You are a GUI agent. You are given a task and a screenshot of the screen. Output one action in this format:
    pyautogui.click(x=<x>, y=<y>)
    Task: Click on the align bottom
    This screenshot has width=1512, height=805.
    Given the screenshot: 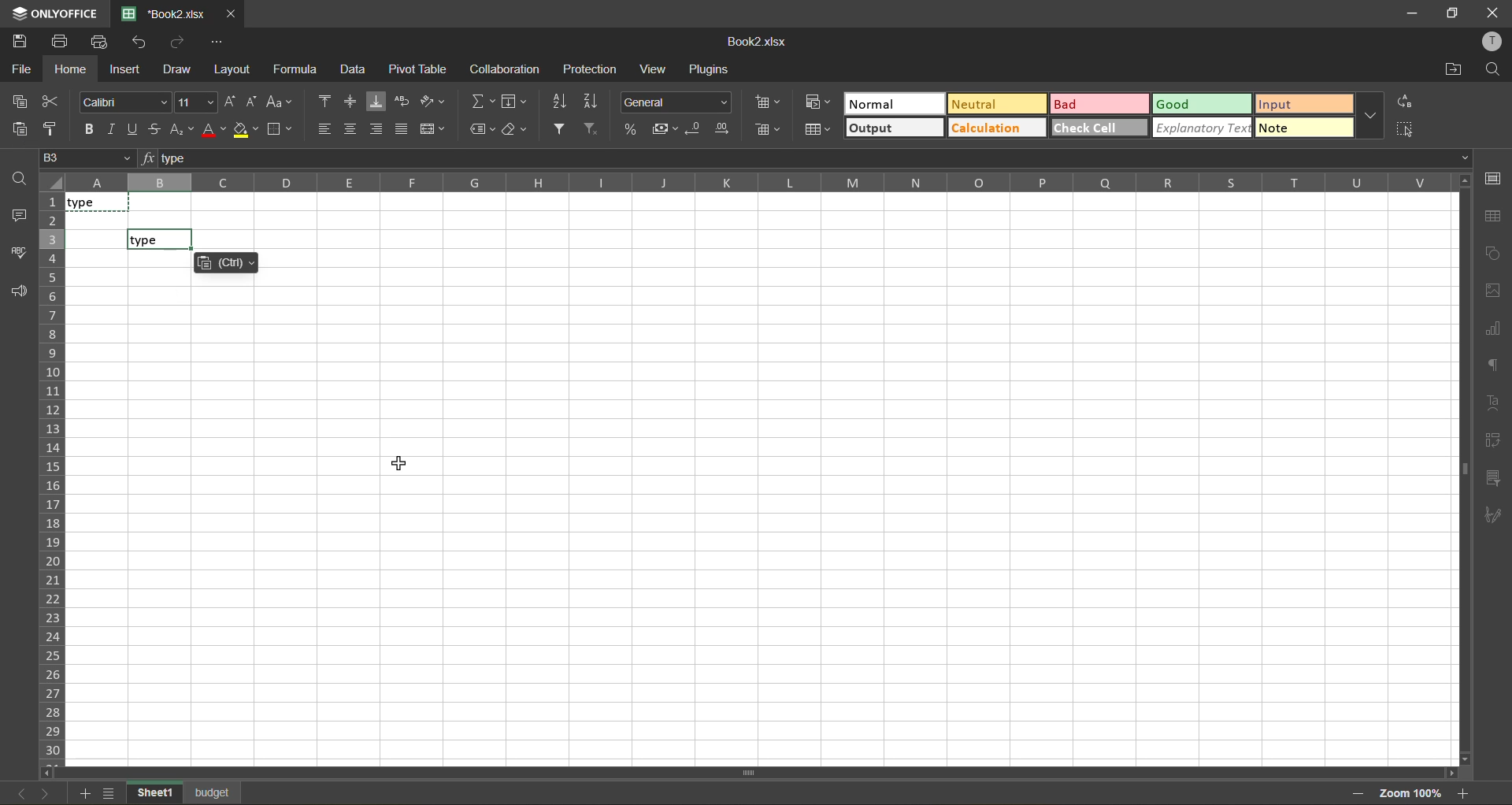 What is the action you would take?
    pyautogui.click(x=377, y=129)
    